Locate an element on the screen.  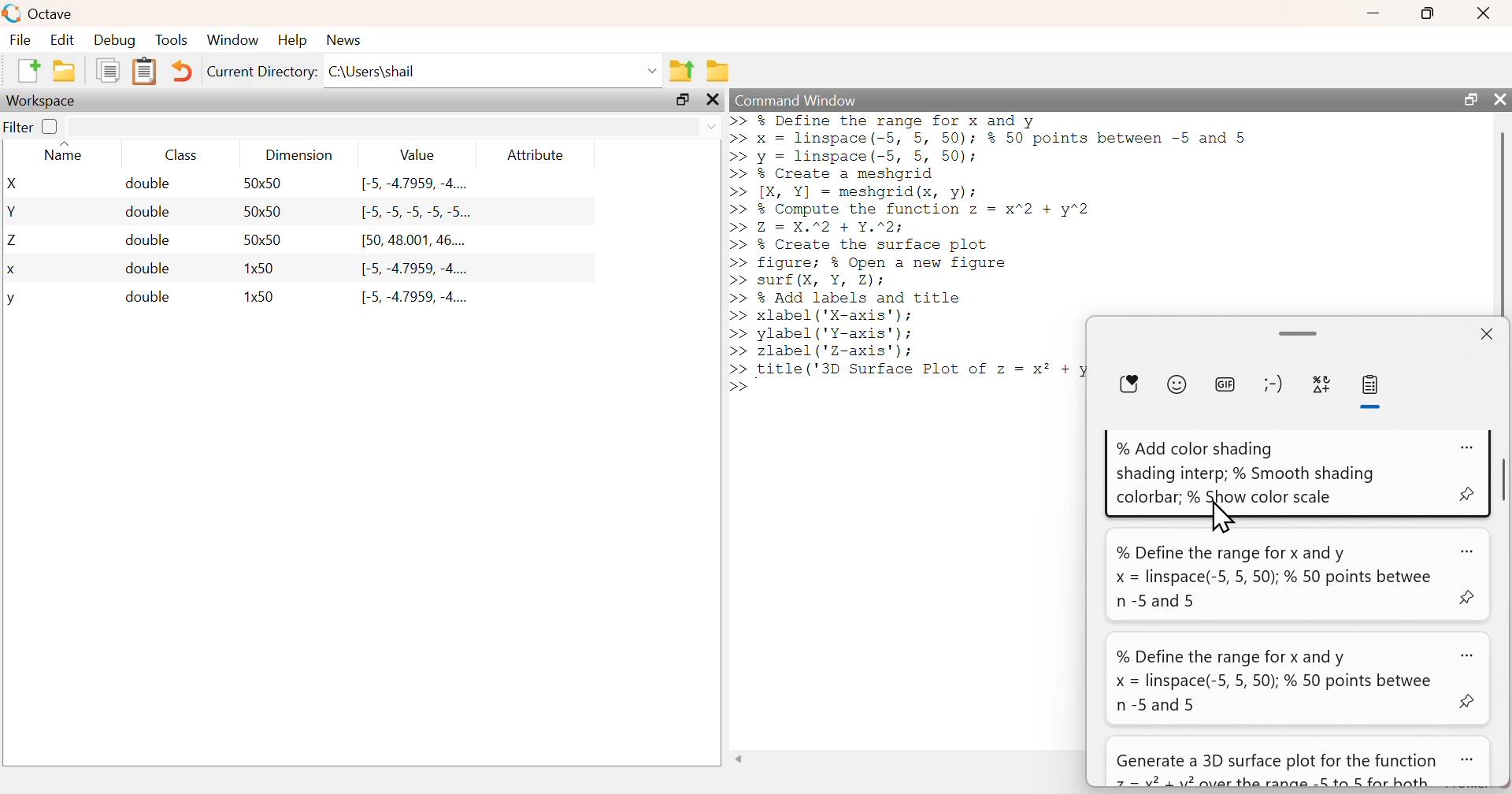
Attribute is located at coordinates (537, 154).